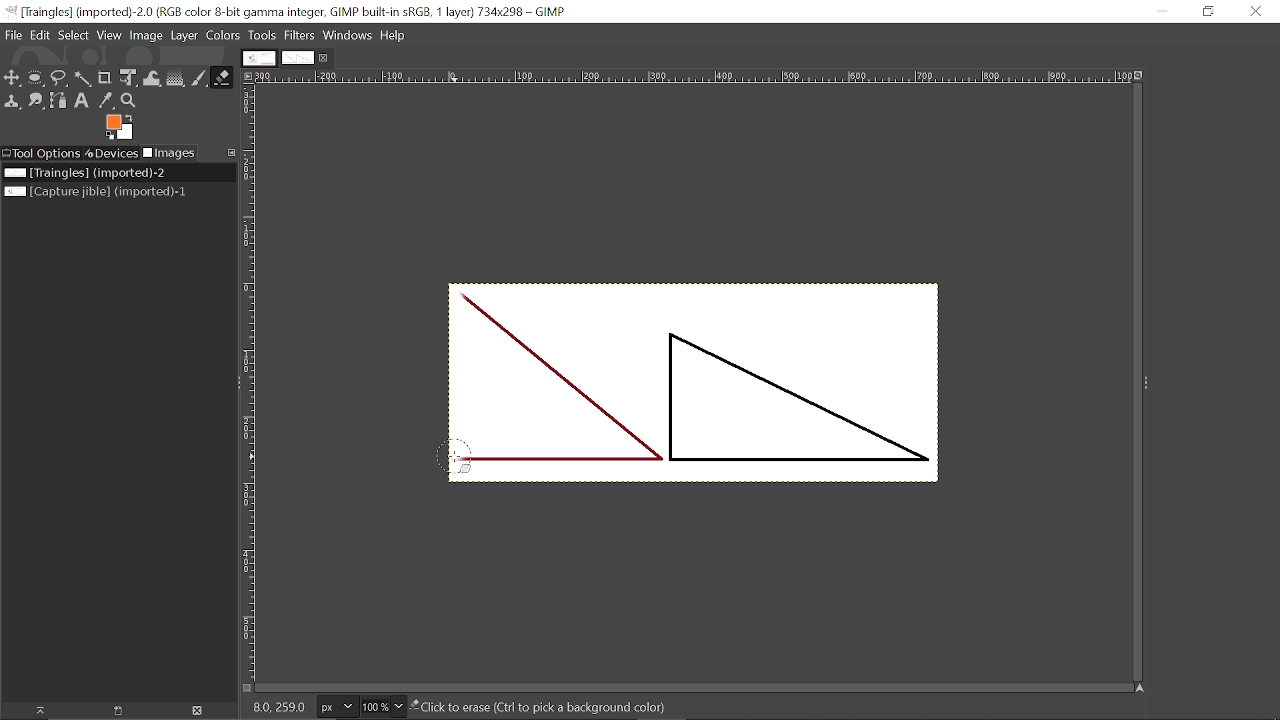  I want to click on Quck toggle mask on/off, so click(245, 690).